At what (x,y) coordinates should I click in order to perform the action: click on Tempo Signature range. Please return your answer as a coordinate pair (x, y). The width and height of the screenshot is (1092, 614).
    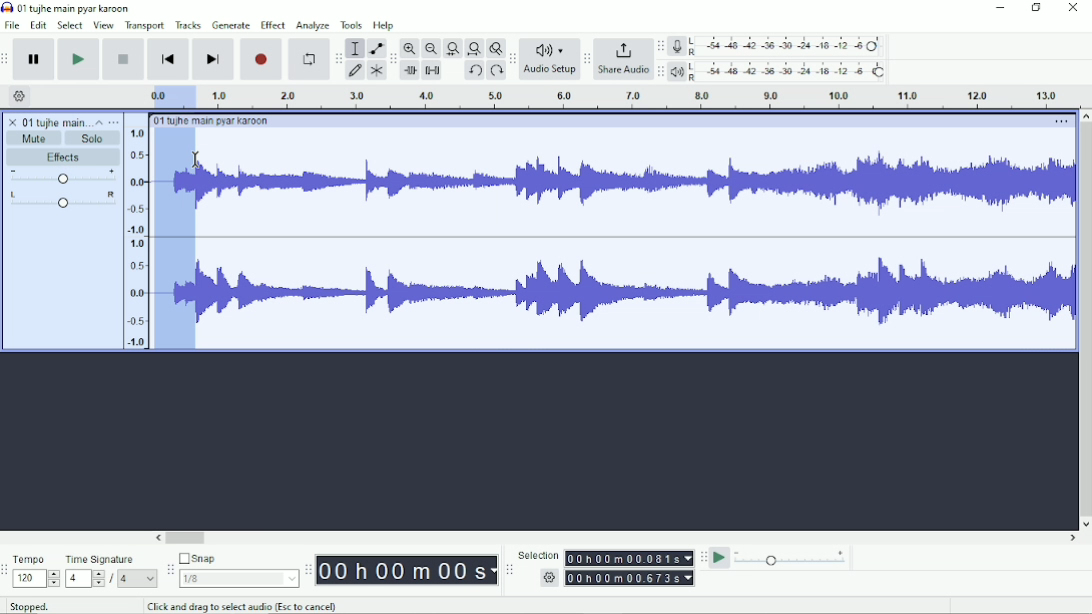
    Looking at the image, I should click on (84, 578).